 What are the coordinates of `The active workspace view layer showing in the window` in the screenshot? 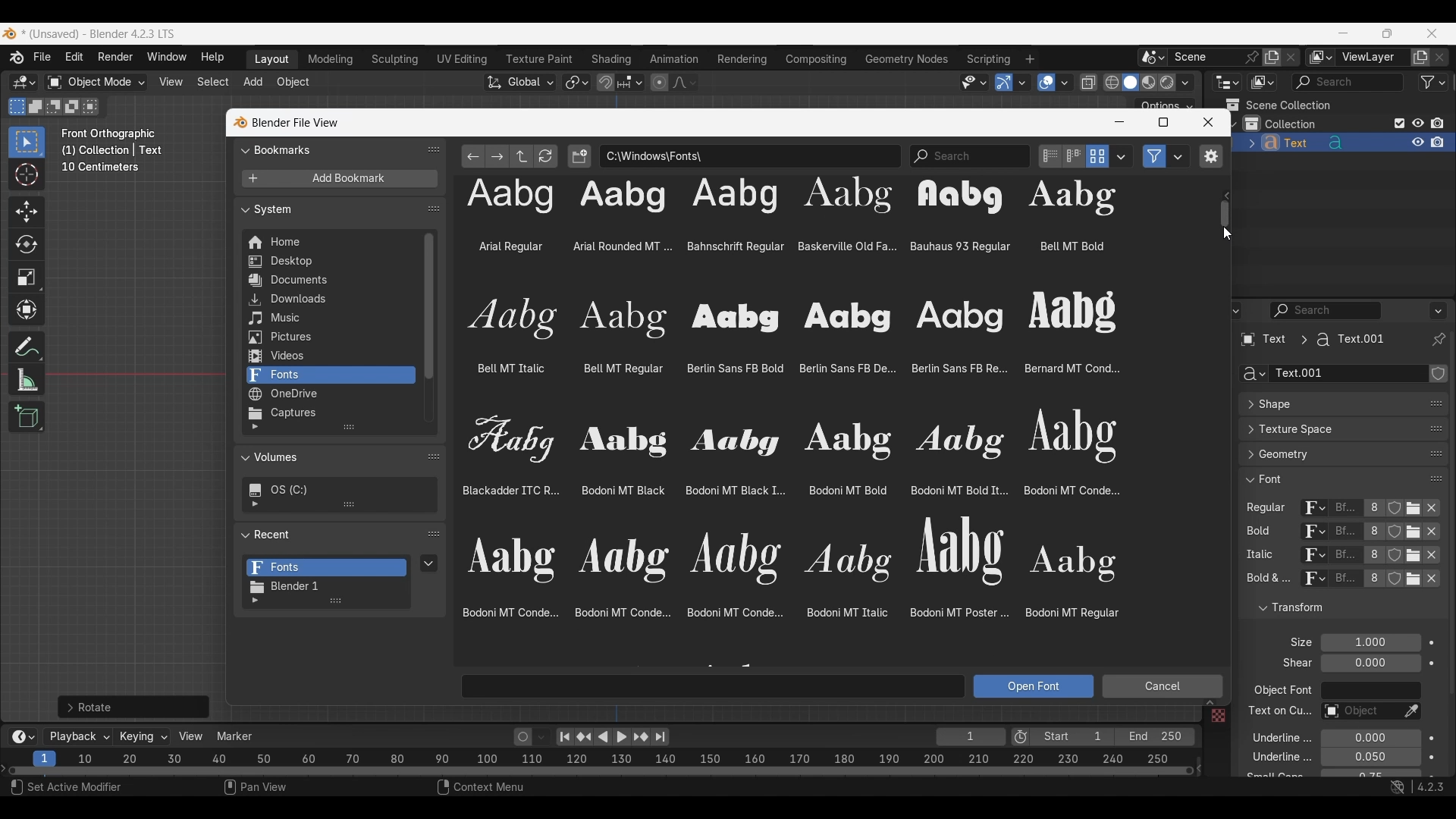 It's located at (1321, 57).